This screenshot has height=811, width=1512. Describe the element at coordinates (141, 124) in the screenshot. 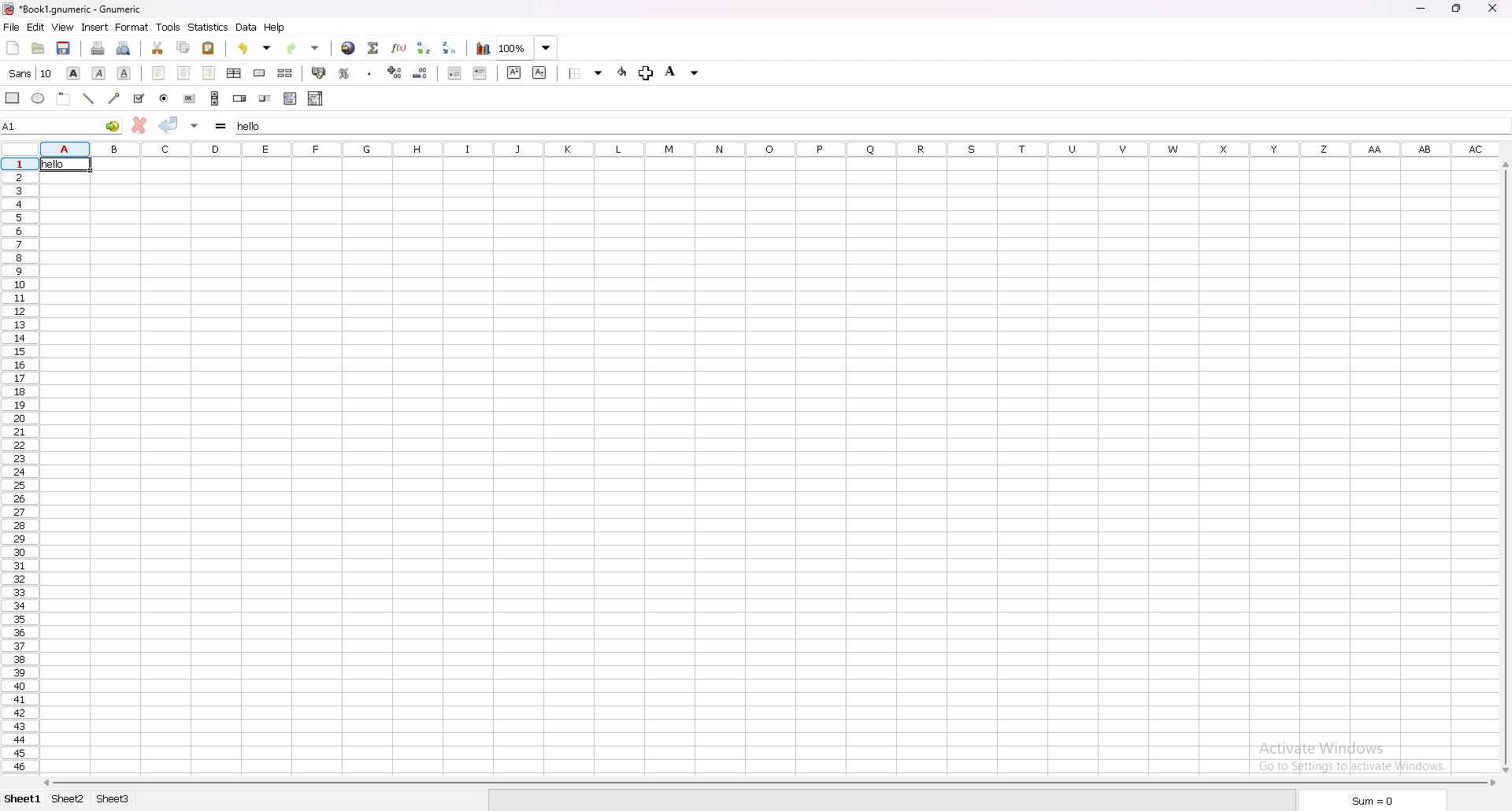

I see `cancel change` at that location.